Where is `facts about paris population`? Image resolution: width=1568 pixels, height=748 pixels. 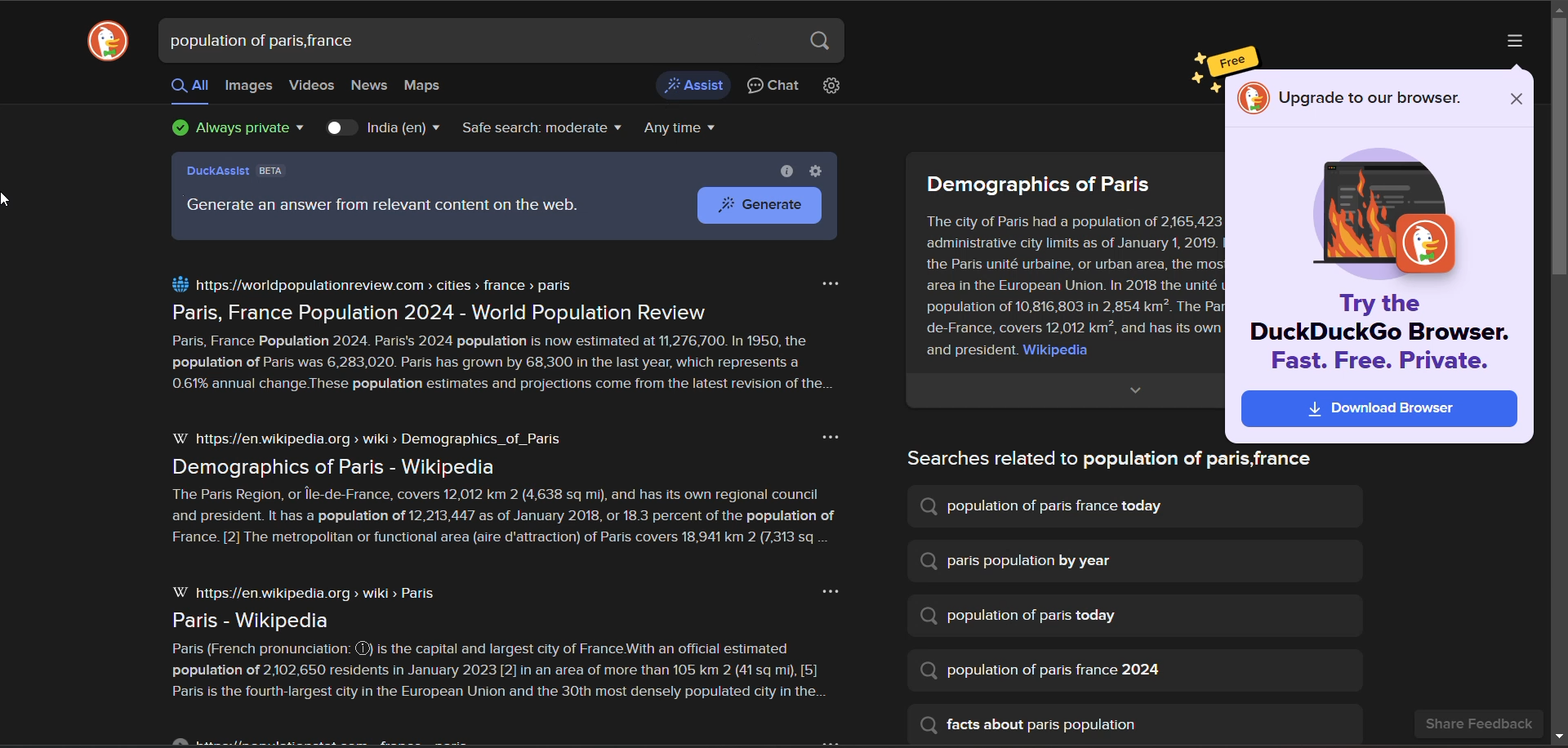 facts about paris population is located at coordinates (1033, 725).